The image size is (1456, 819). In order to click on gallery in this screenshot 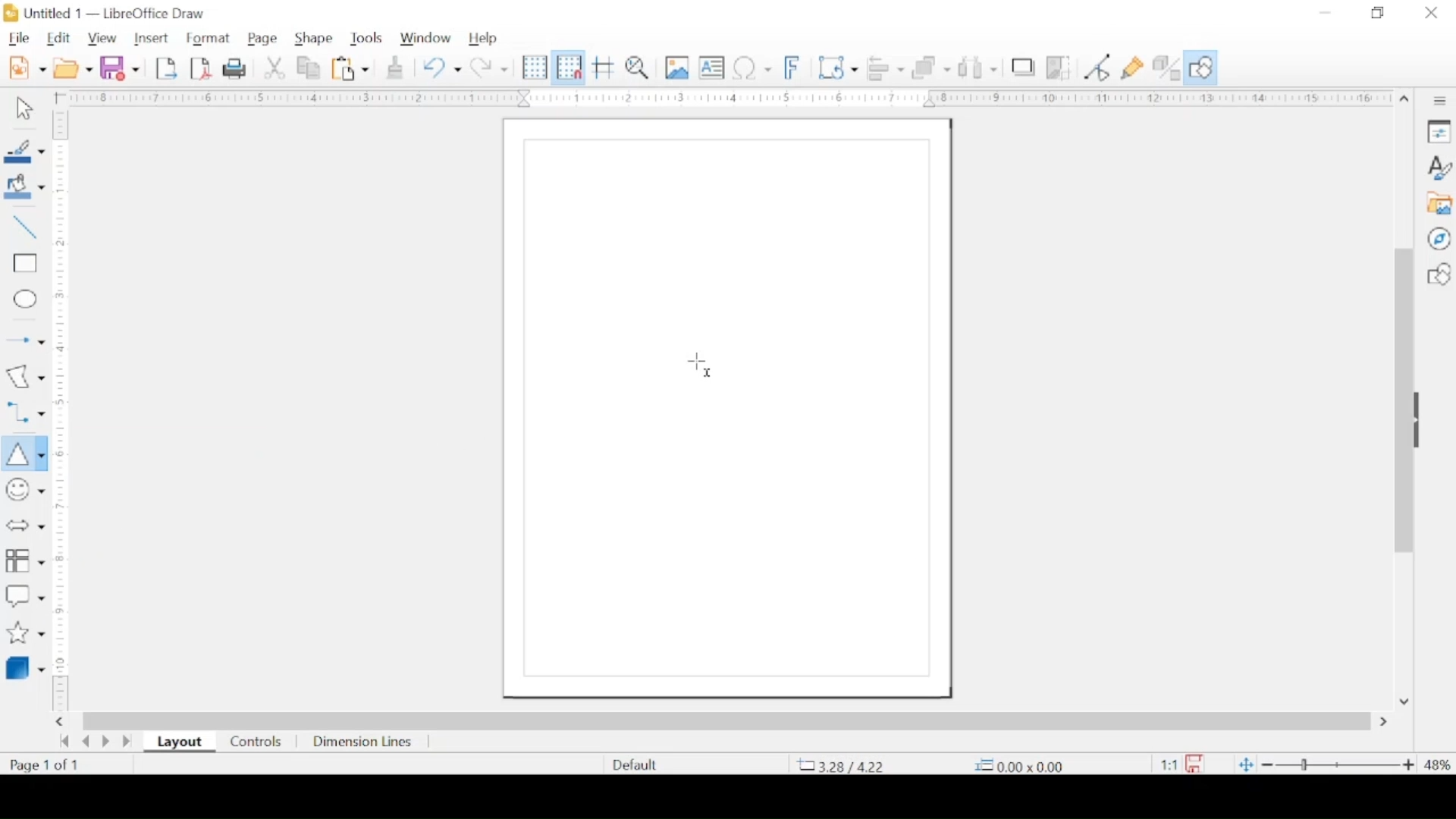, I will do `click(1441, 204)`.